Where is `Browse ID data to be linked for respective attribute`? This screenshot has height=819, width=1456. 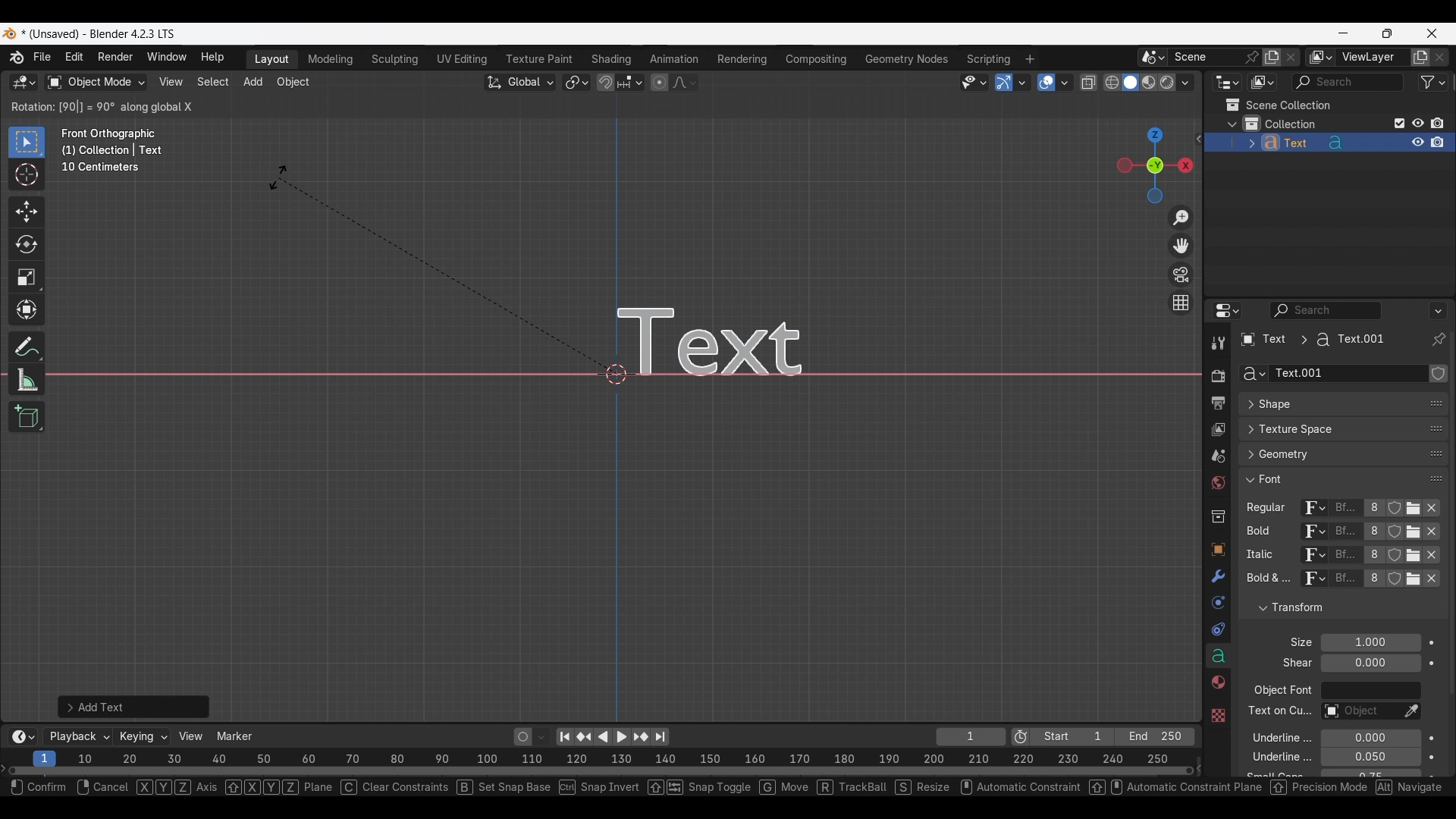 Browse ID data to be linked for respective attribute is located at coordinates (1314, 544).